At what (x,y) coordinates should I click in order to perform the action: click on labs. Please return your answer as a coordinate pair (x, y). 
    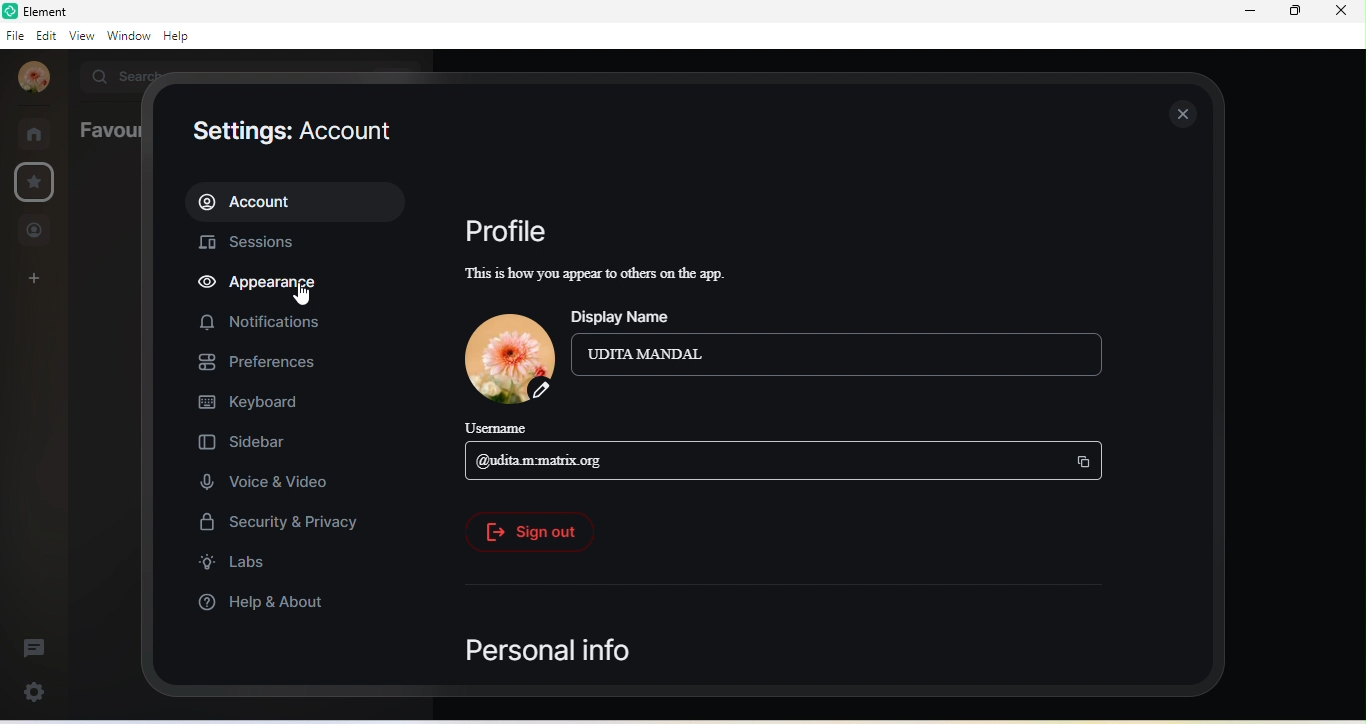
    Looking at the image, I should click on (238, 566).